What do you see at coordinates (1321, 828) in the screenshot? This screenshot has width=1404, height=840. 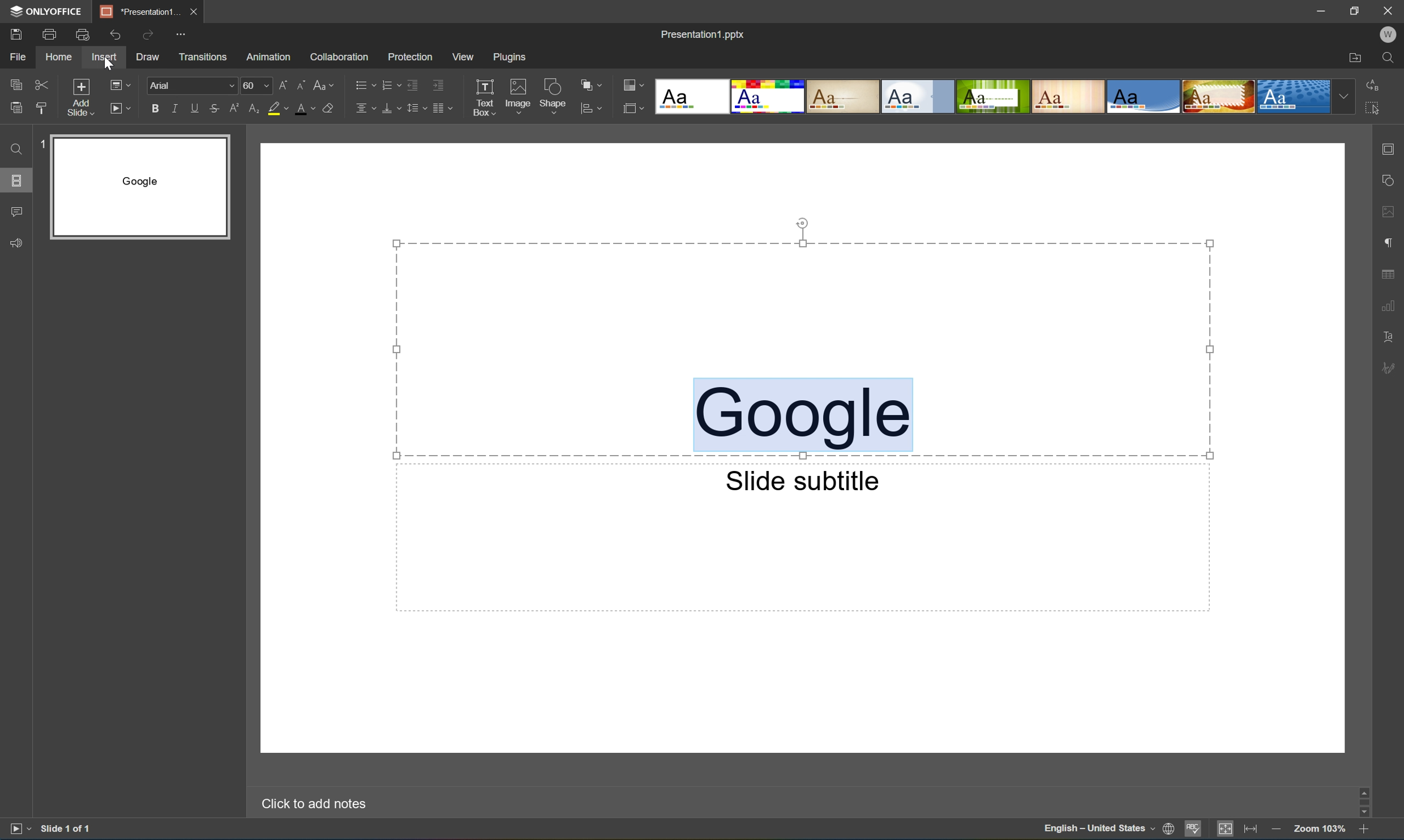 I see `Zoom 103%` at bounding box center [1321, 828].